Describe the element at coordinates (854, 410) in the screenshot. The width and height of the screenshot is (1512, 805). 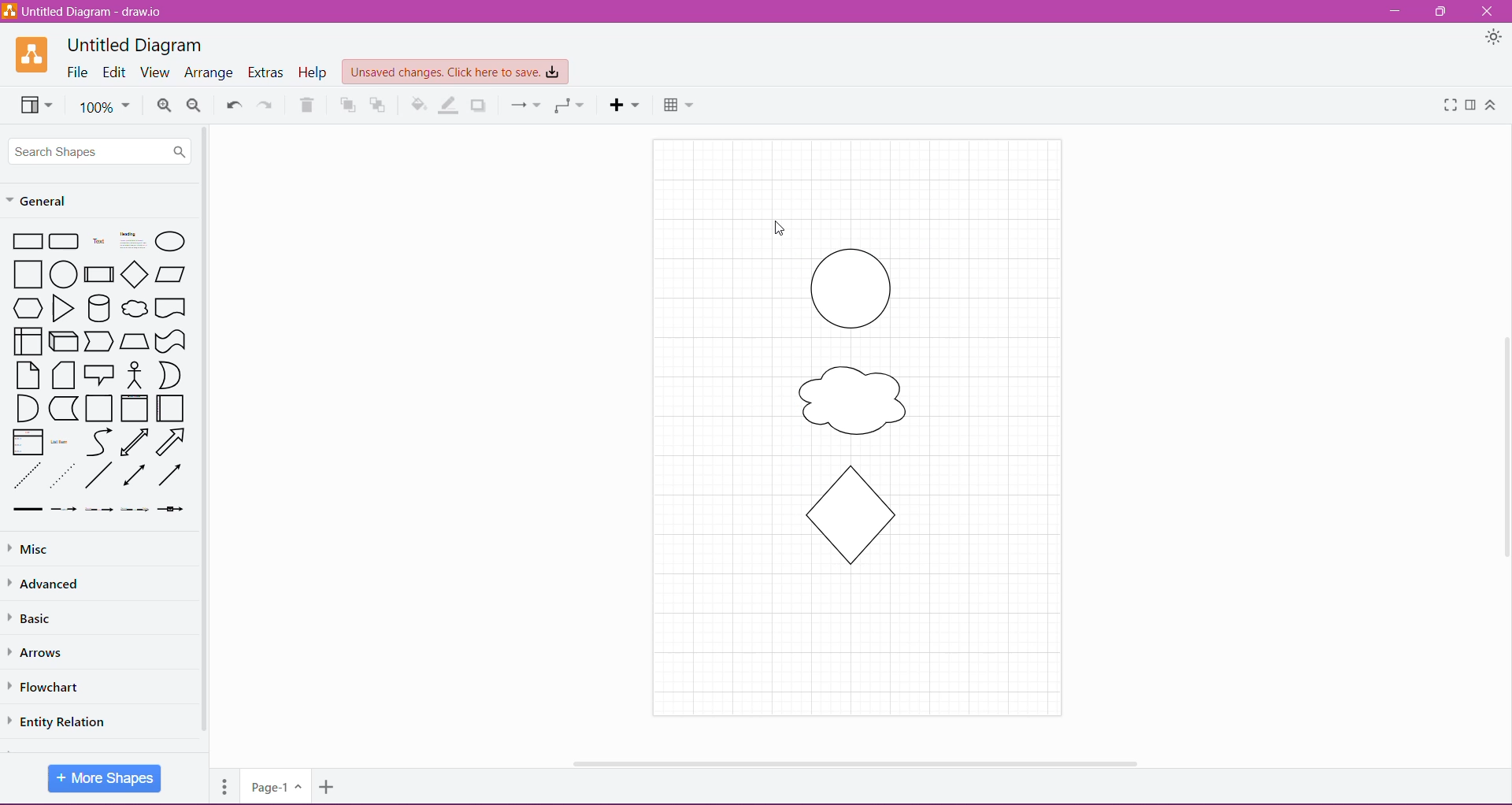
I see `Grouped Shapes` at that location.